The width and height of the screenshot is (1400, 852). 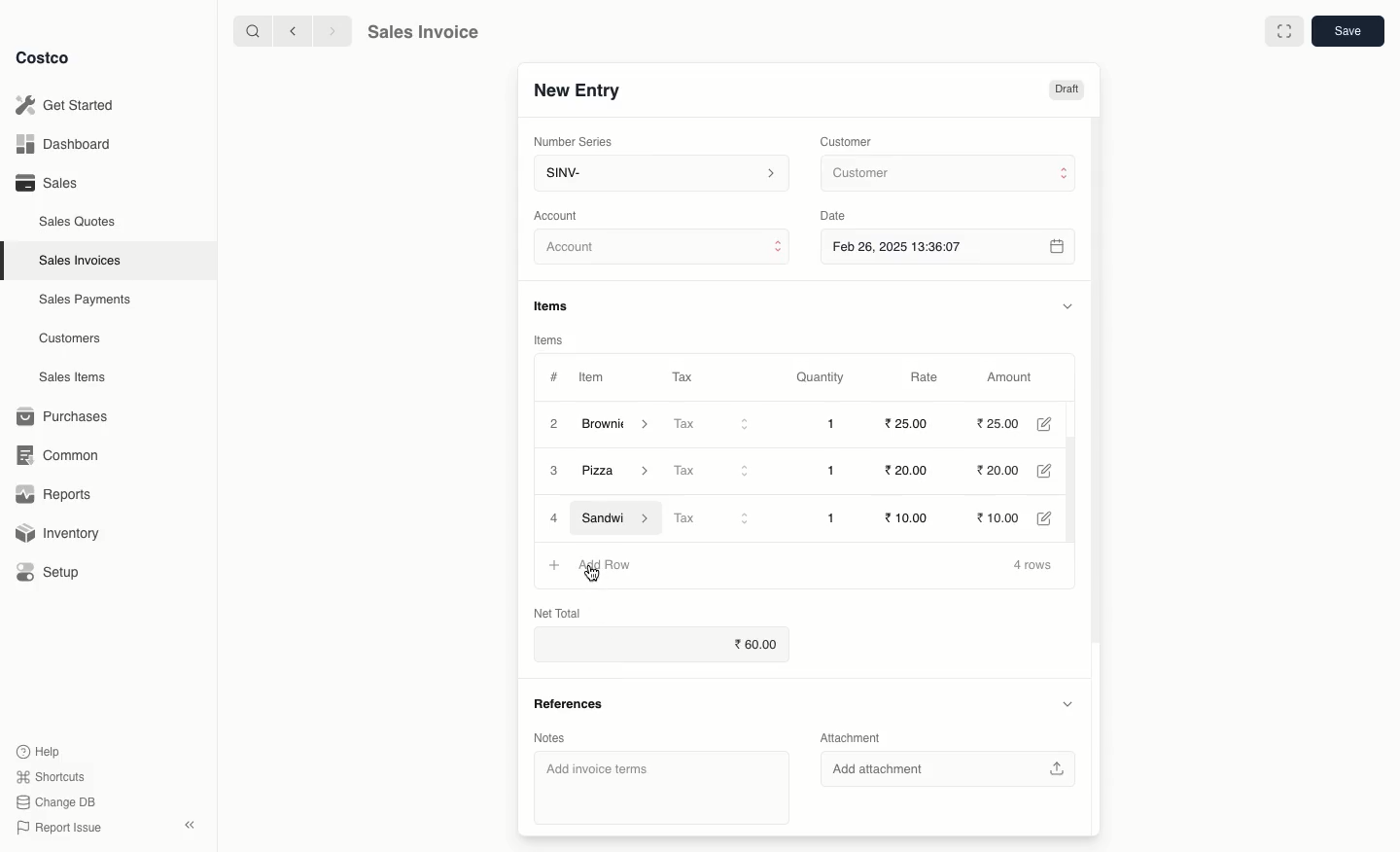 What do you see at coordinates (55, 572) in the screenshot?
I see `Setup` at bounding box center [55, 572].